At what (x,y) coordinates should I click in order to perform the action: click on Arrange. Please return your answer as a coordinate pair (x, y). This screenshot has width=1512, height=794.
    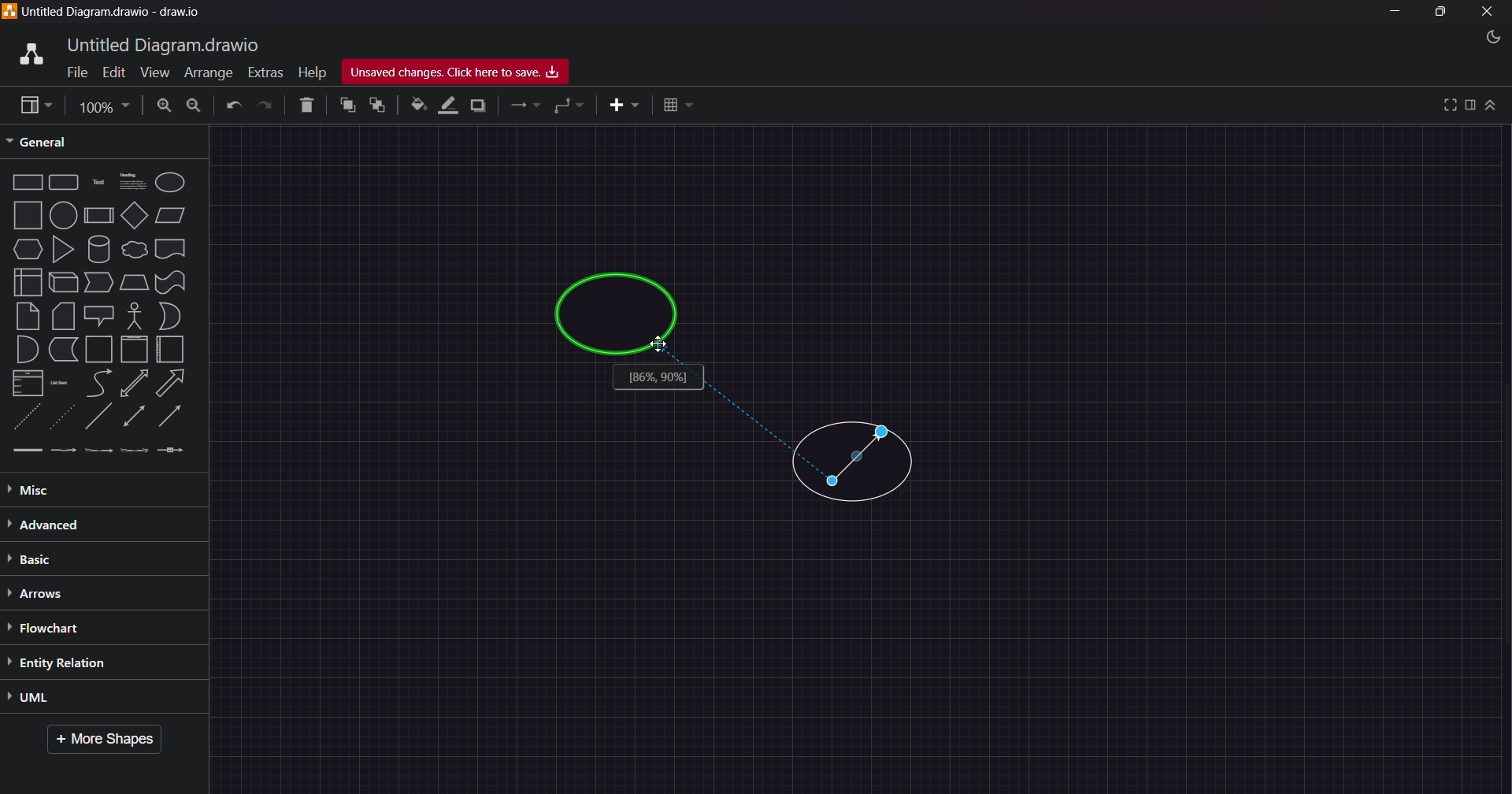
    Looking at the image, I should click on (205, 74).